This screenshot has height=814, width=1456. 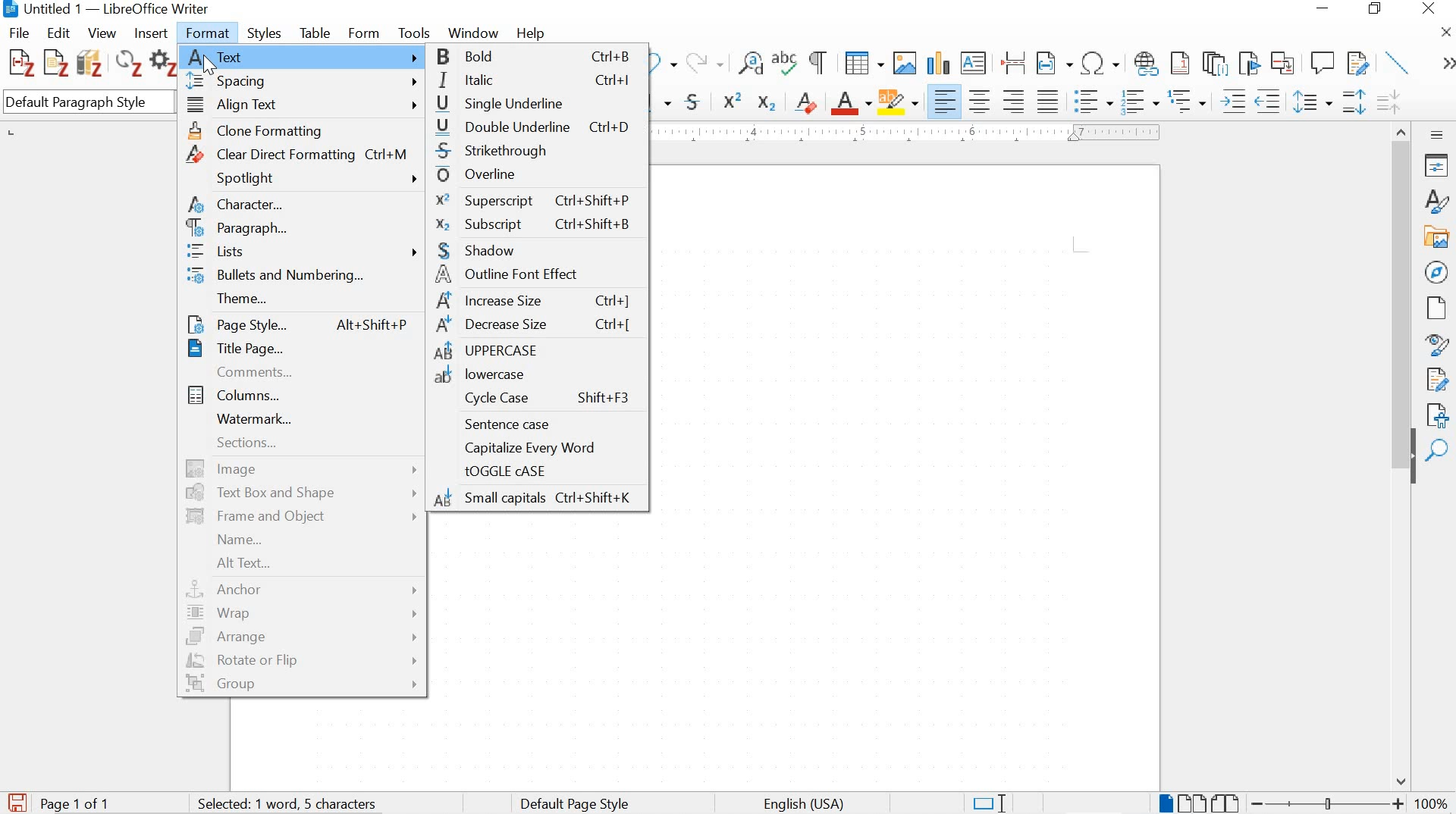 I want to click on strikethrough, so click(x=540, y=152).